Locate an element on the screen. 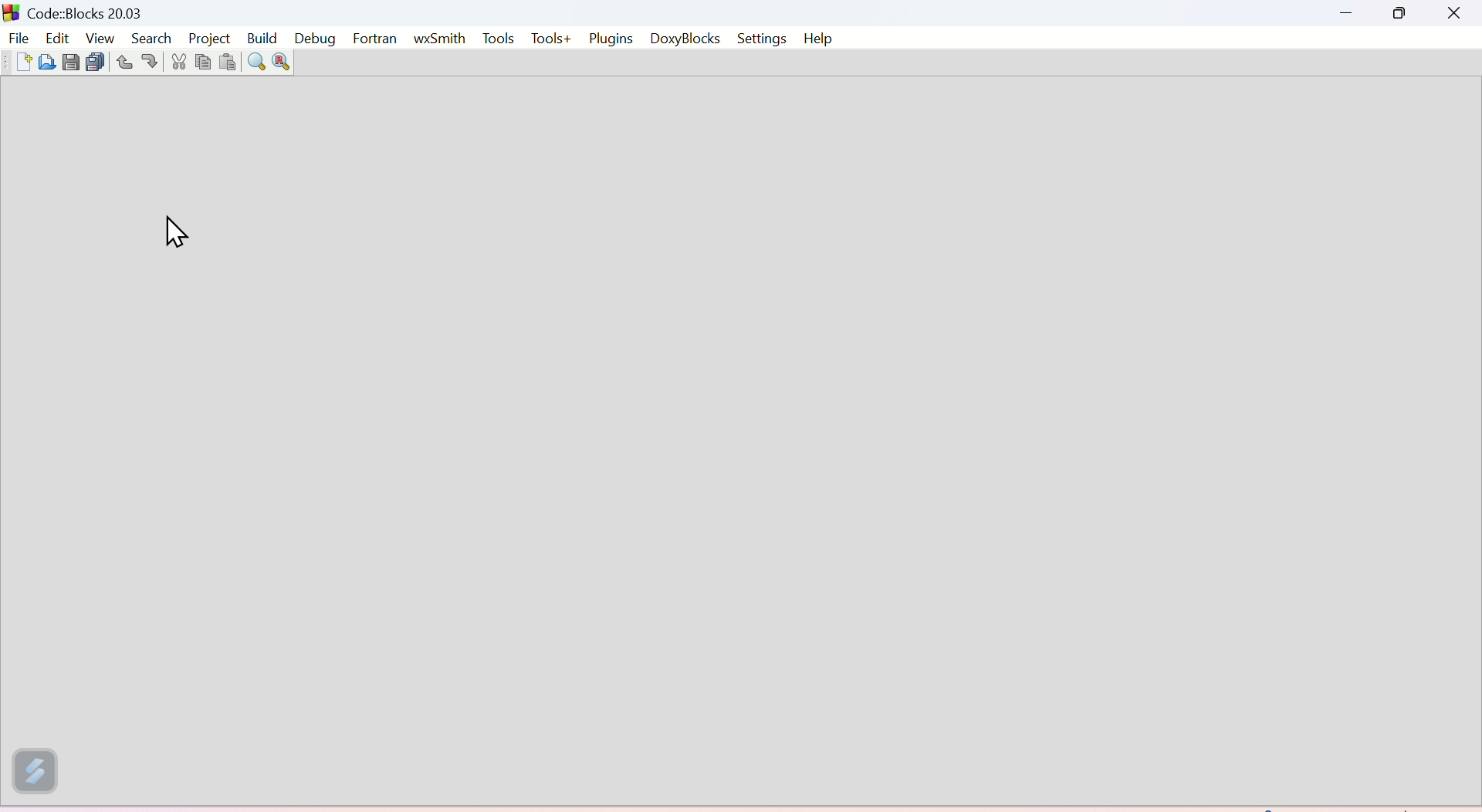 The height and width of the screenshot is (812, 1482). Plugins is located at coordinates (611, 39).